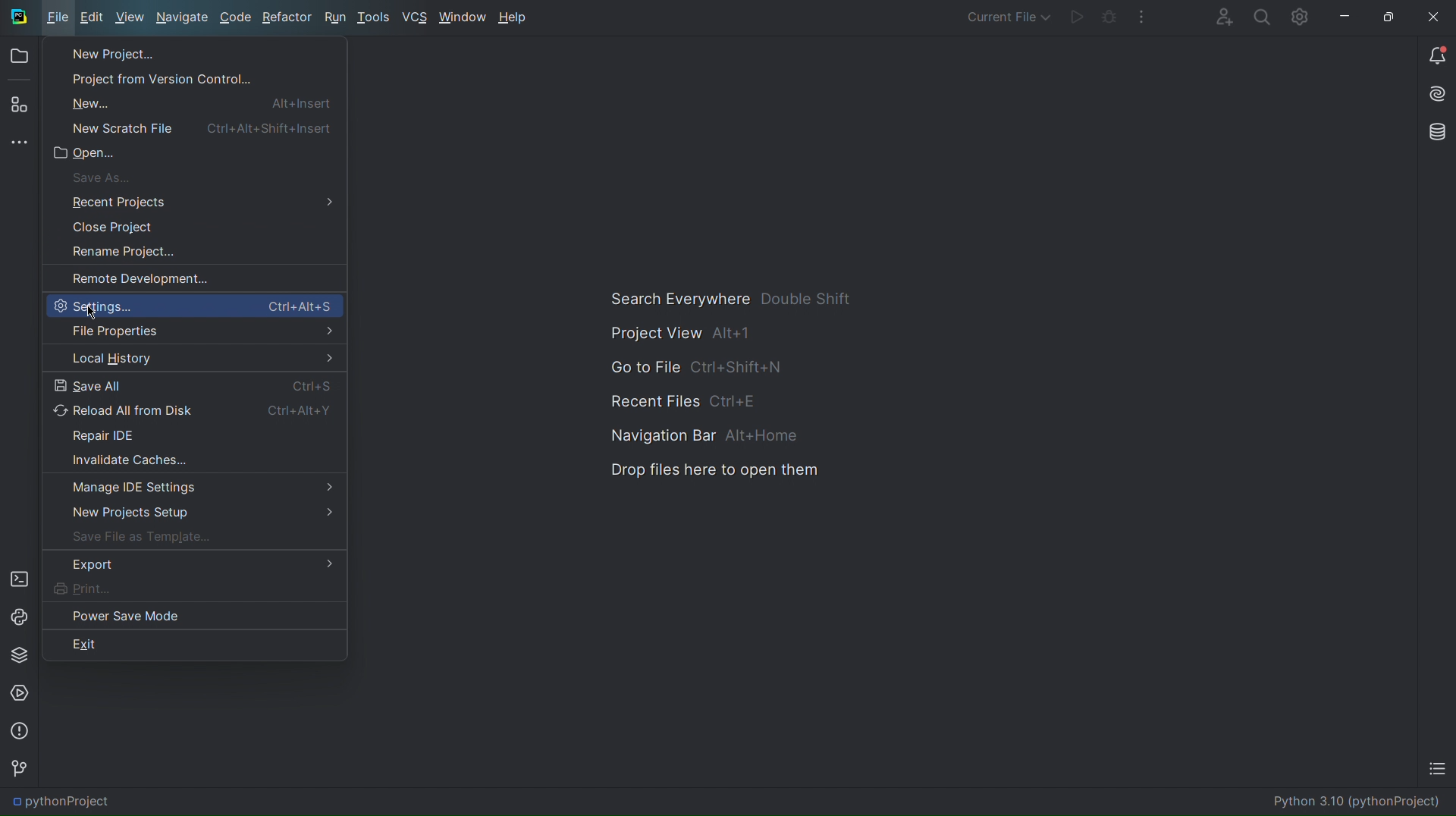 The height and width of the screenshot is (816, 1456). I want to click on More, so click(1144, 18).